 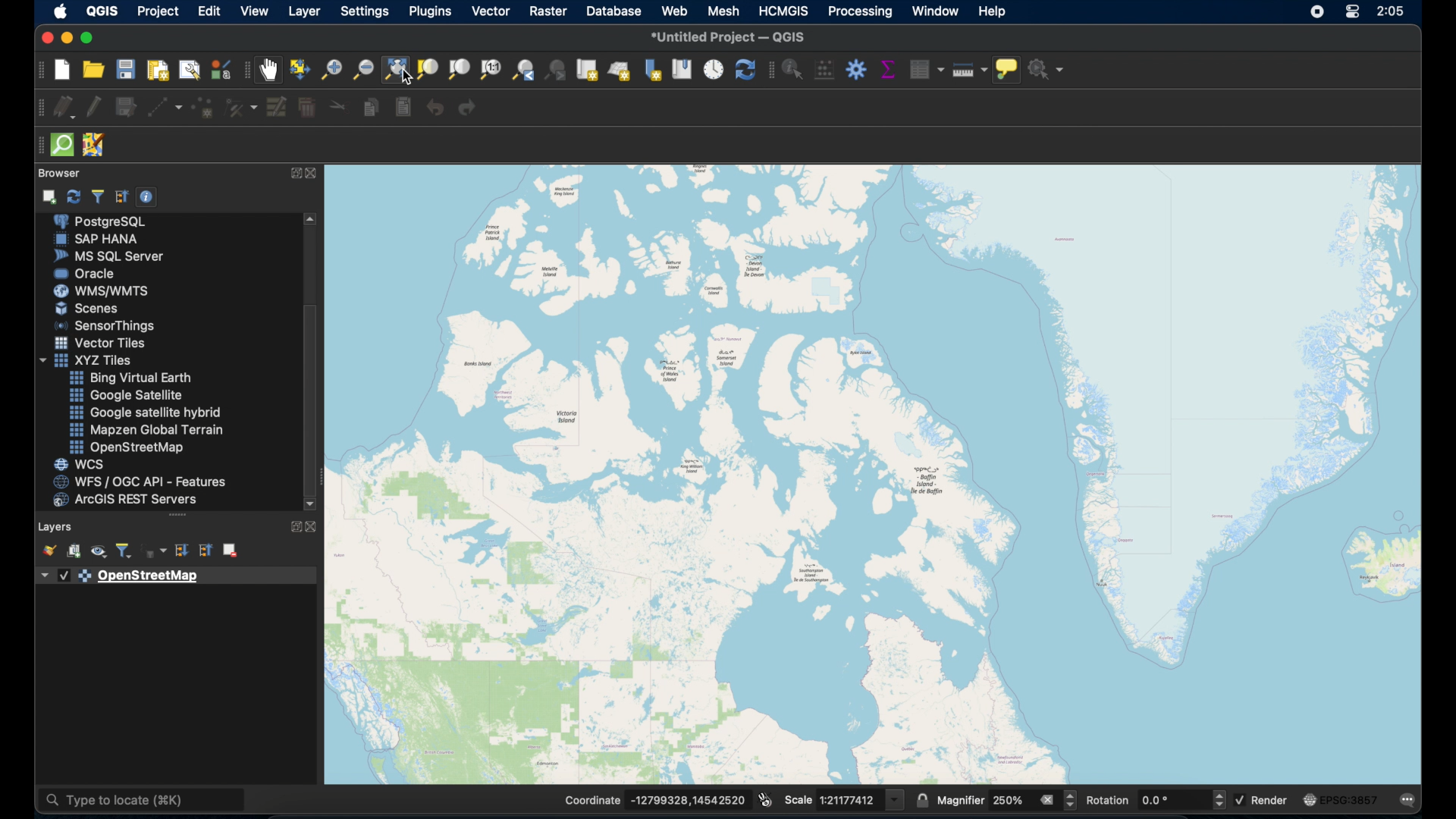 What do you see at coordinates (37, 105) in the screenshot?
I see `digitizing toolbar` at bounding box center [37, 105].